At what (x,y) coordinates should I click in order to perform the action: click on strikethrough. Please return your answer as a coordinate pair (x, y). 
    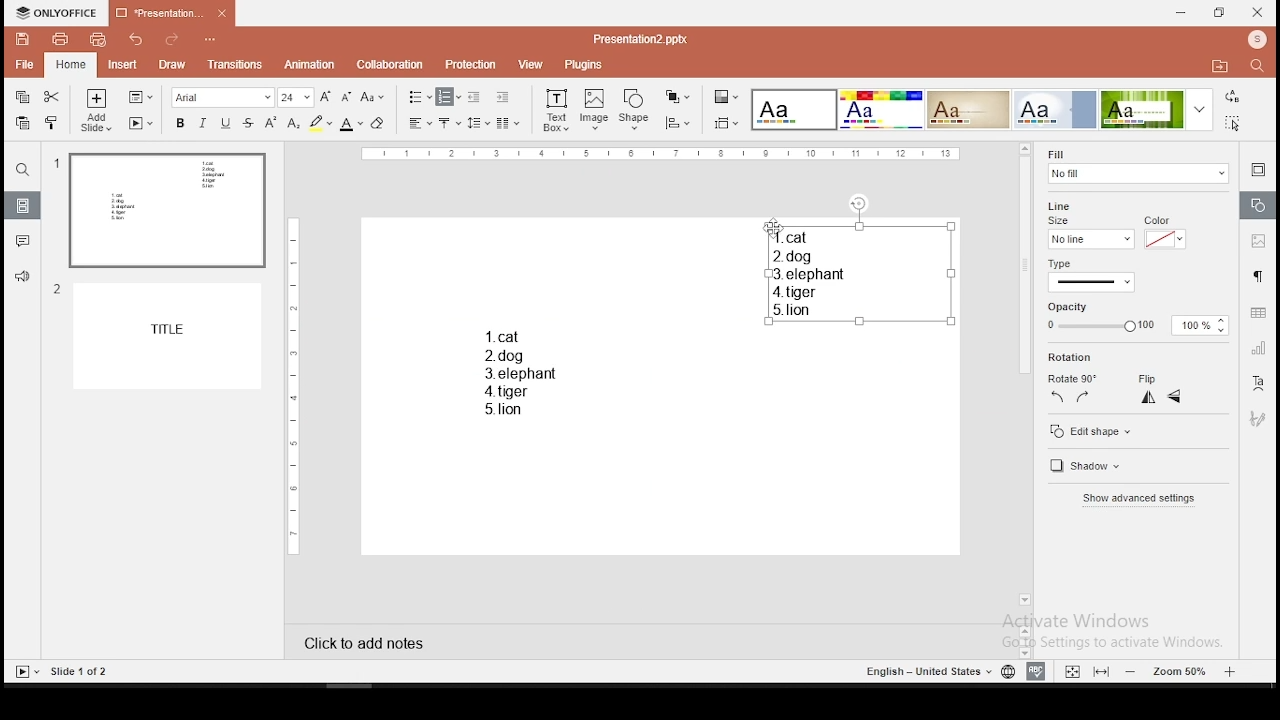
    Looking at the image, I should click on (248, 123).